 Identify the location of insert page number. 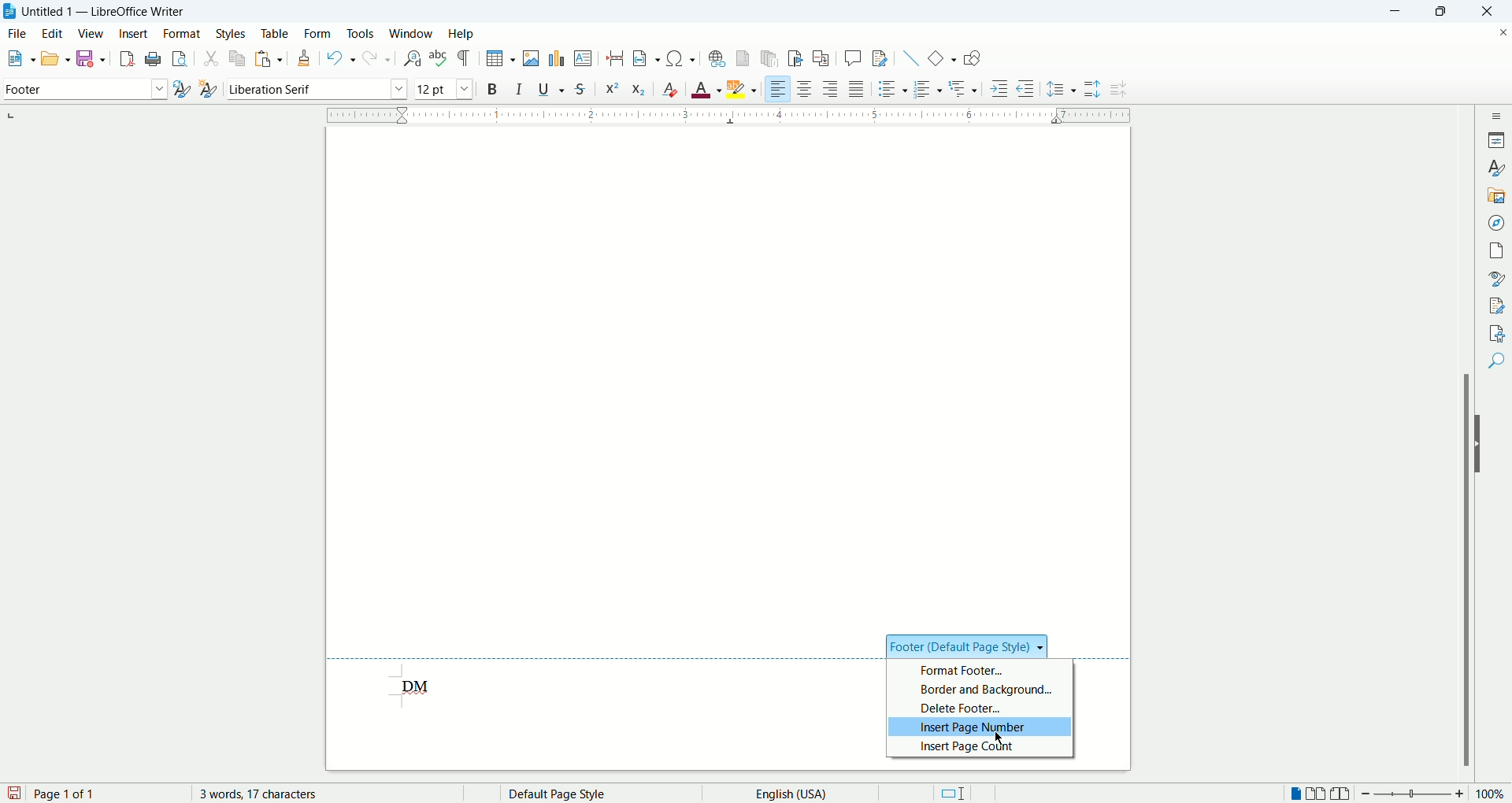
(981, 729).